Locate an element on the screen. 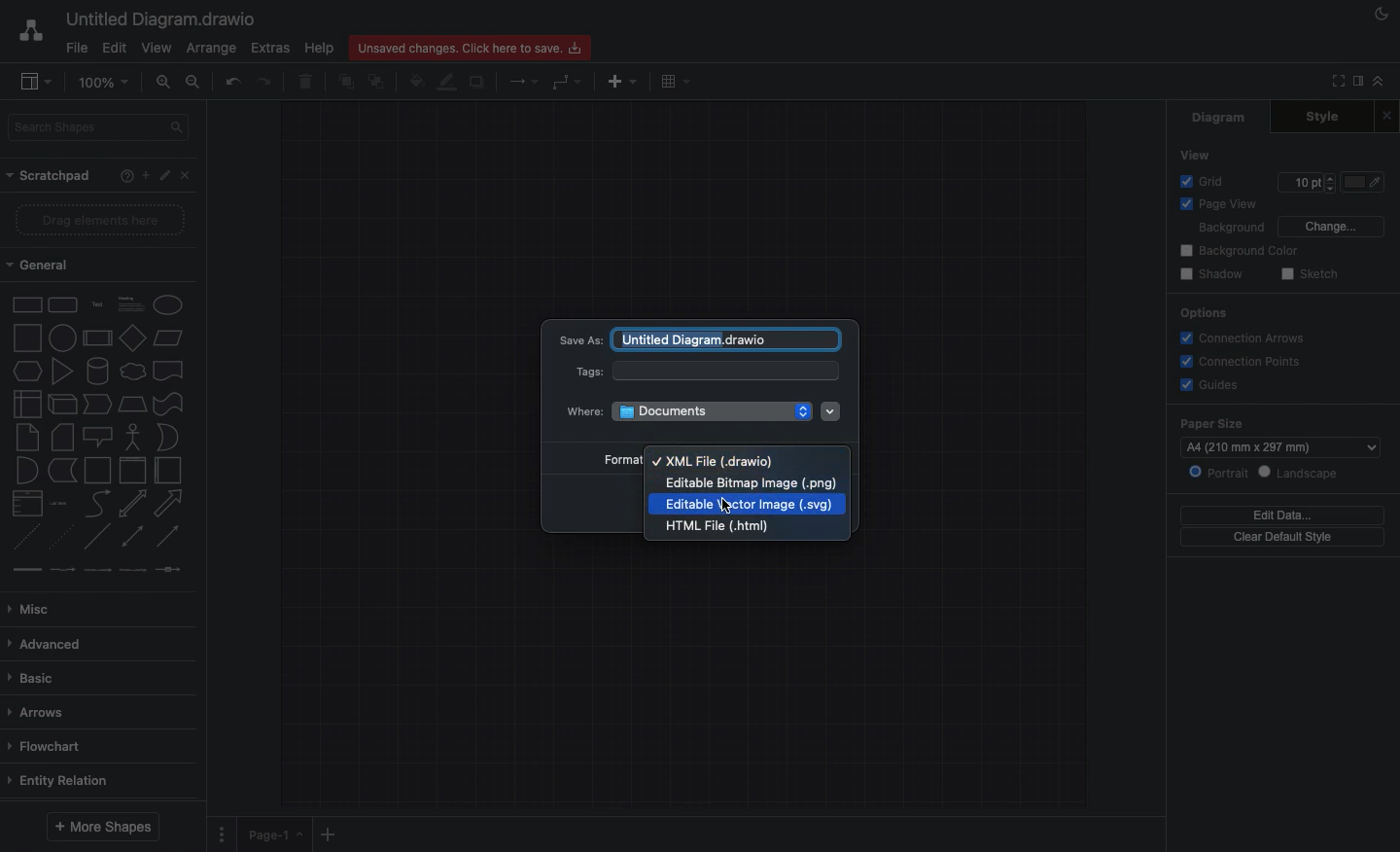 This screenshot has height=852, width=1400. Save as is located at coordinates (579, 337).